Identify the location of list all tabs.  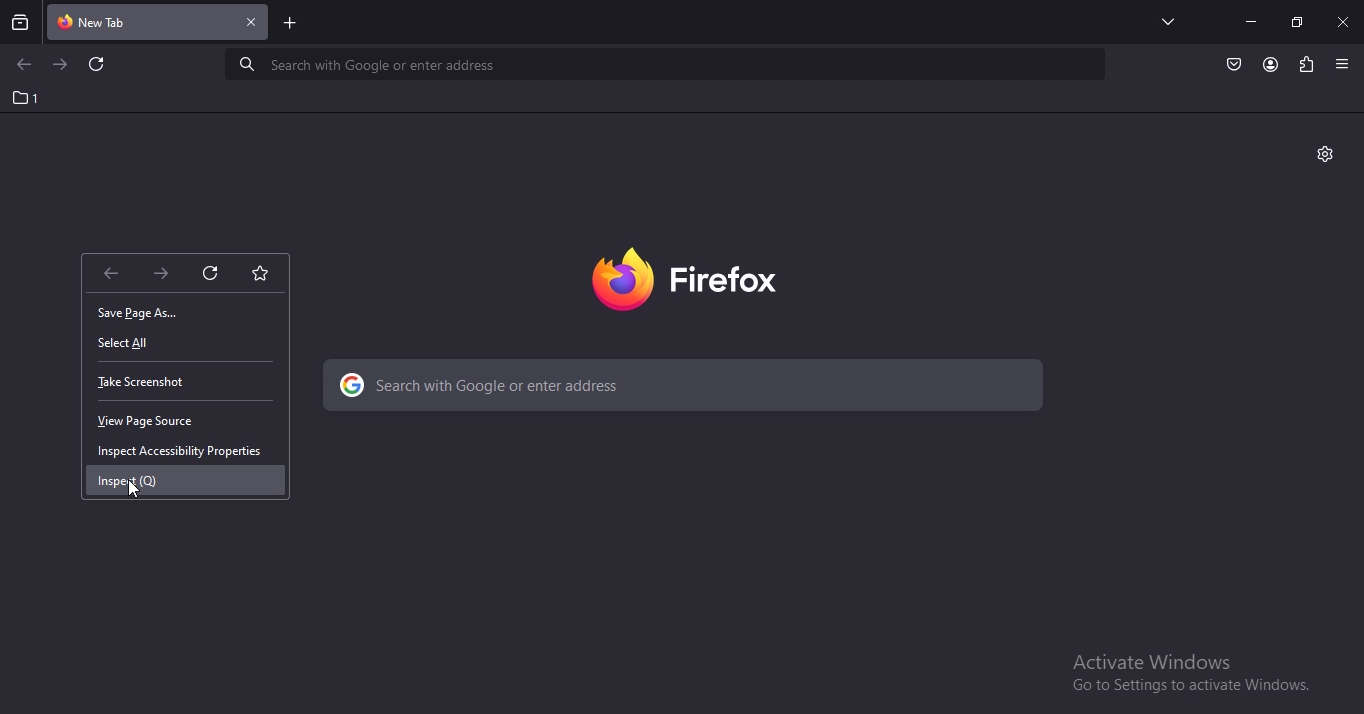
(1163, 21).